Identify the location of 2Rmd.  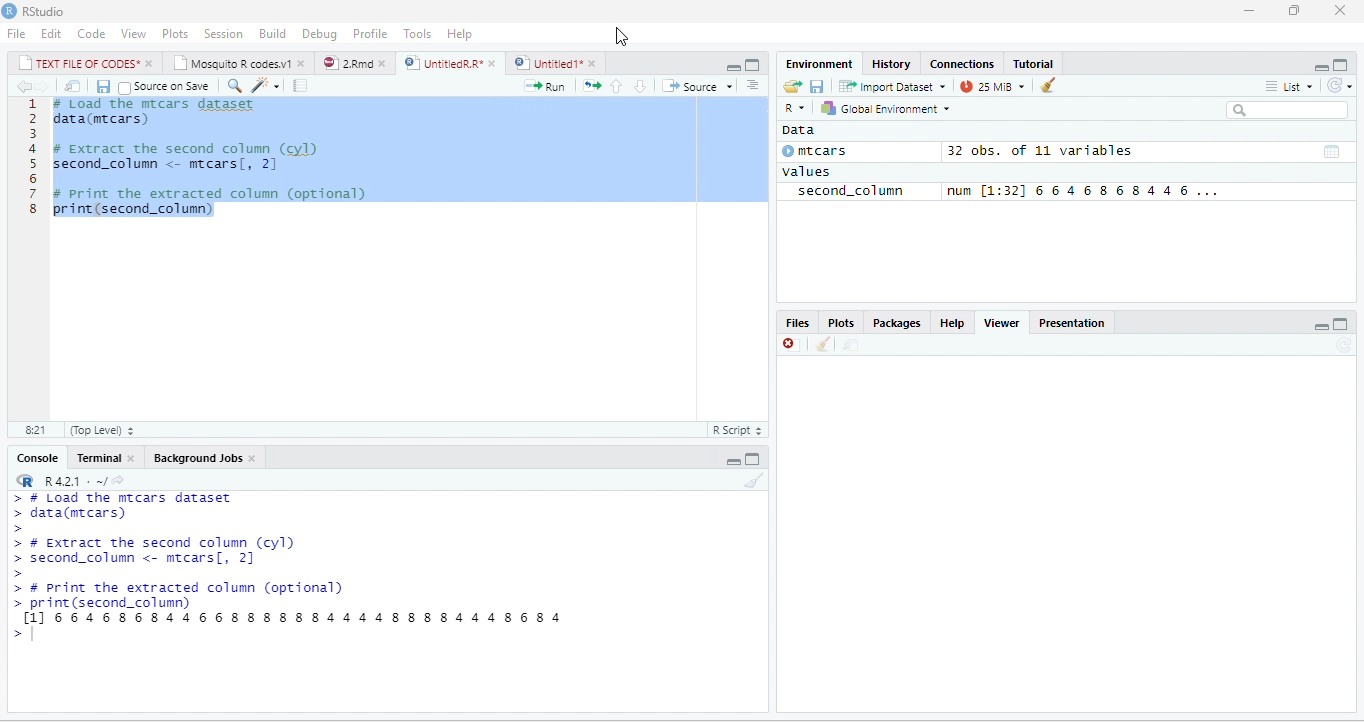
(346, 63).